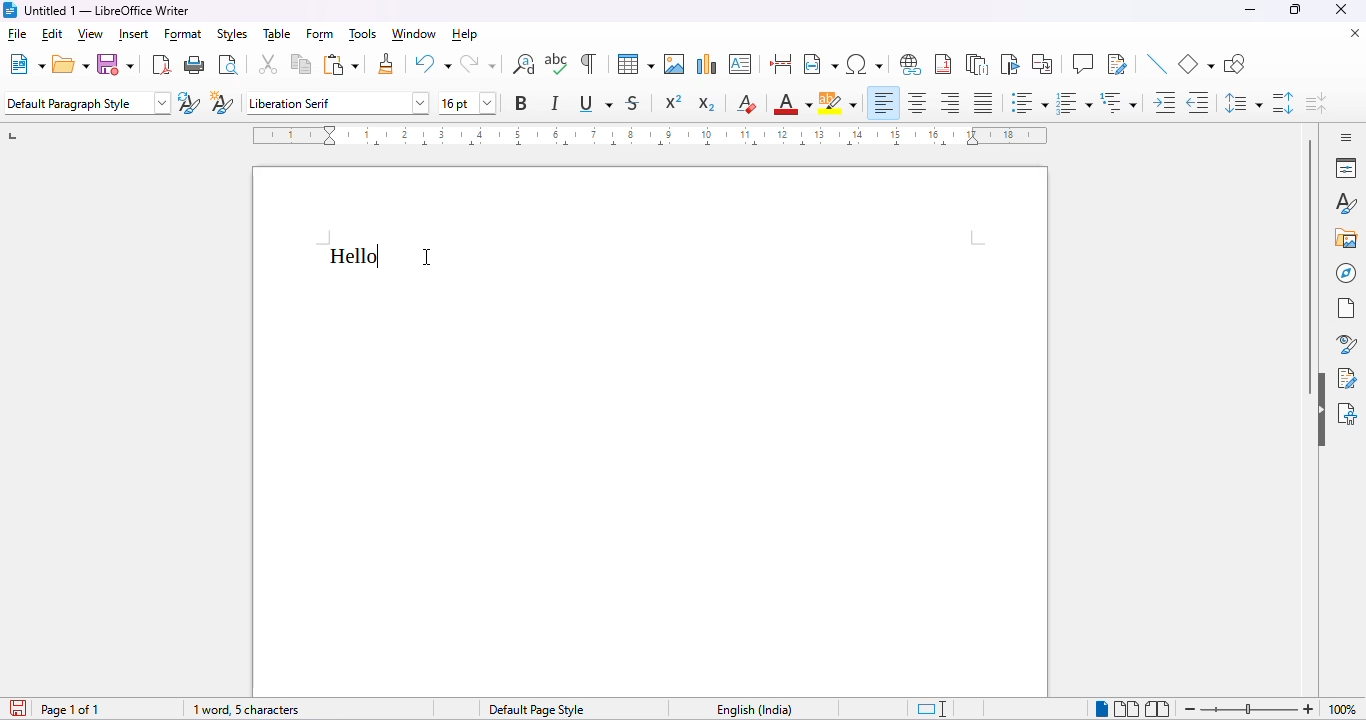 The image size is (1366, 720). Describe the element at coordinates (1348, 414) in the screenshot. I see `accessibility check` at that location.